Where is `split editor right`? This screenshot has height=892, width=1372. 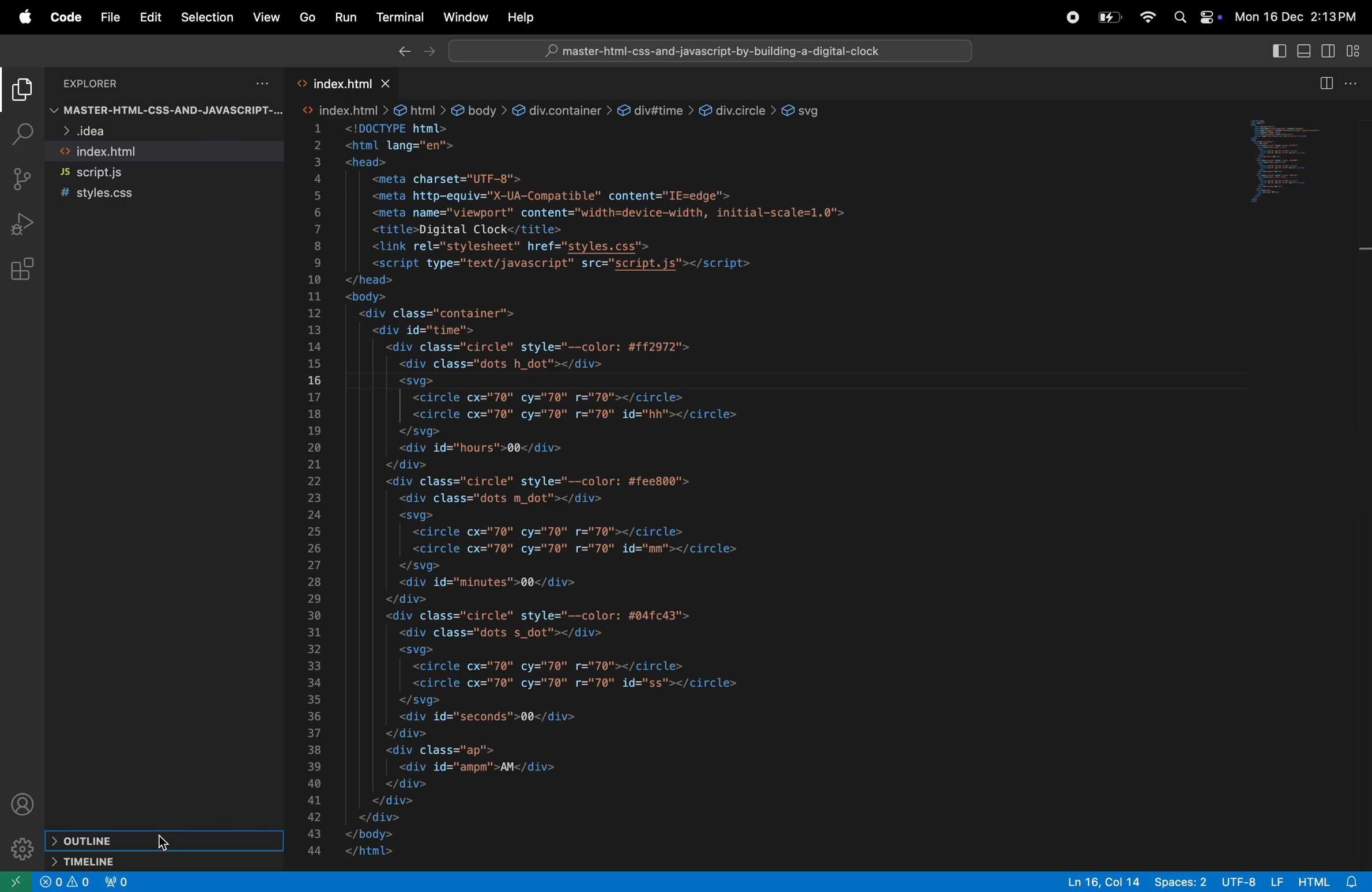
split editor right is located at coordinates (1328, 83).